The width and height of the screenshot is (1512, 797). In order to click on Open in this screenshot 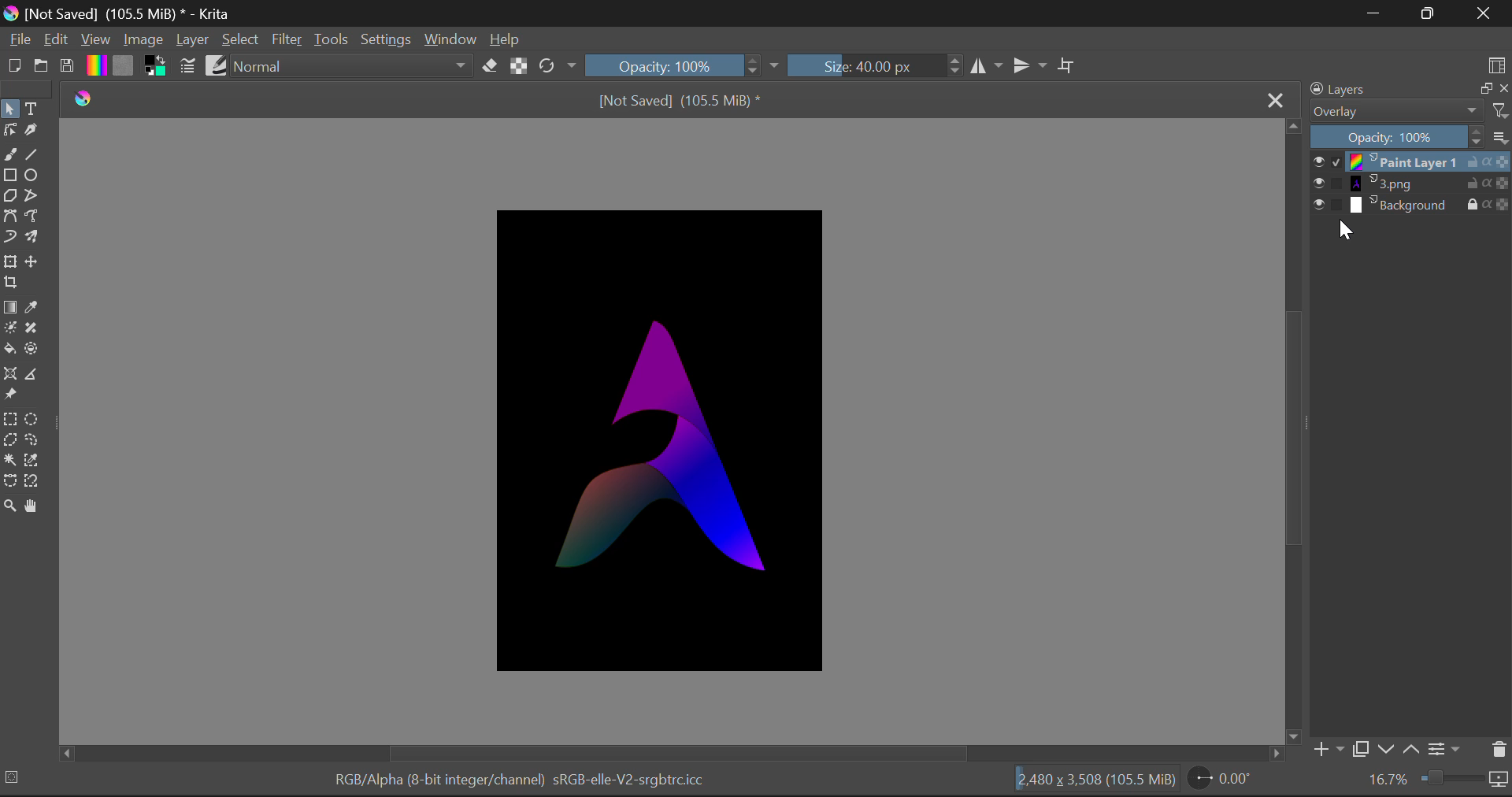, I will do `click(44, 65)`.